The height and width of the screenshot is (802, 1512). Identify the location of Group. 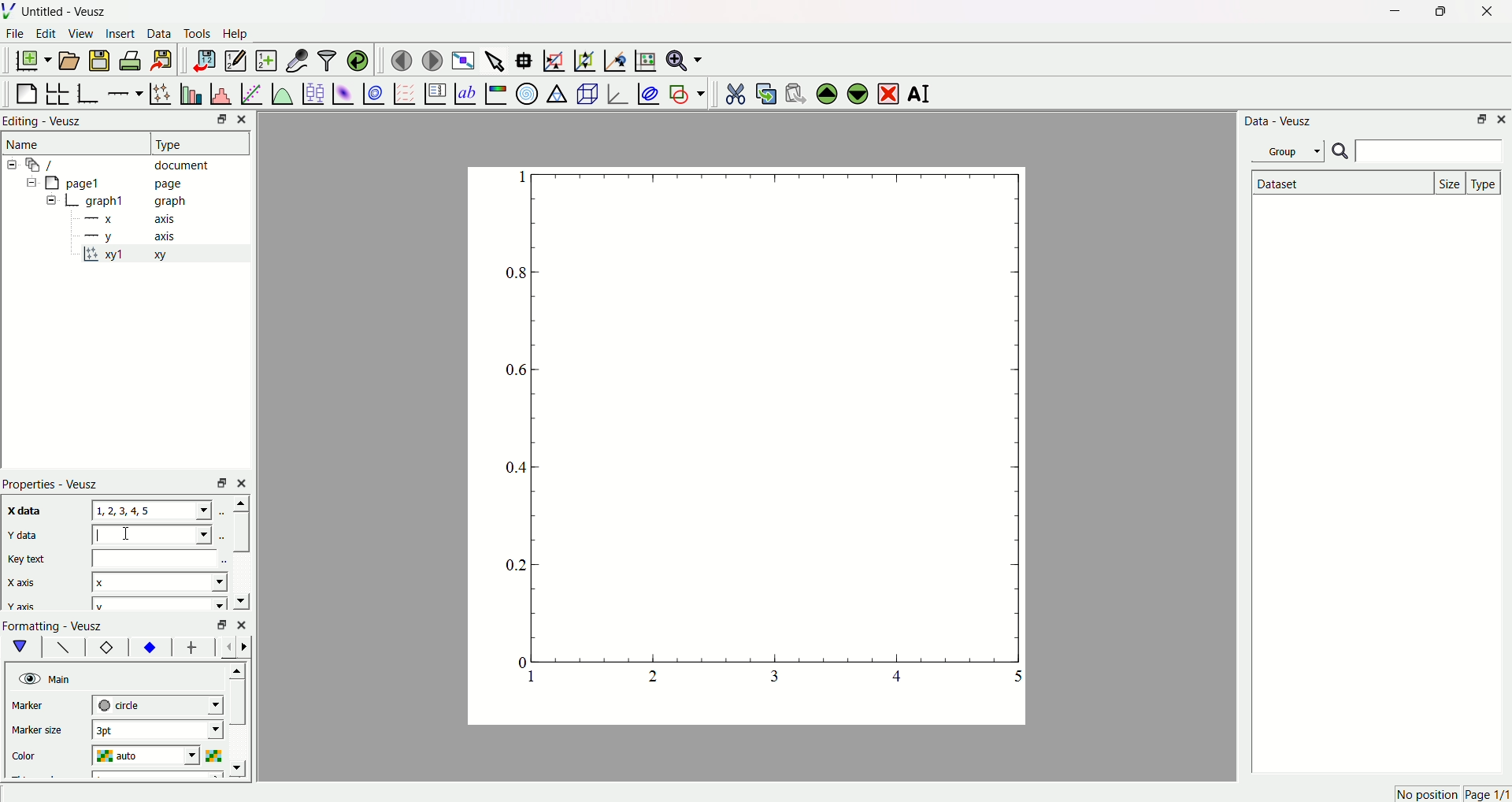
(1291, 150).